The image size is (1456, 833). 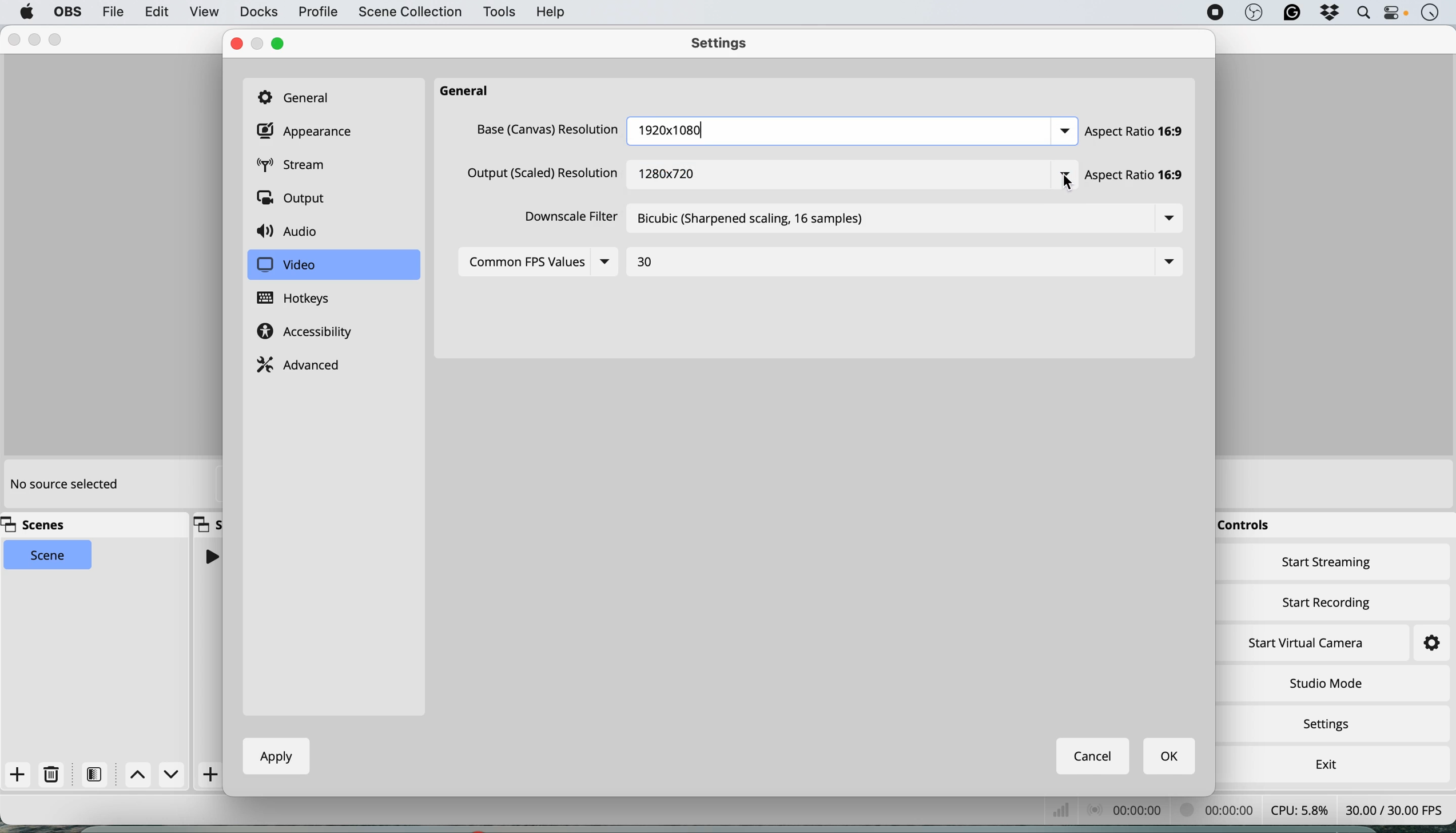 I want to click on minimize, so click(x=258, y=44).